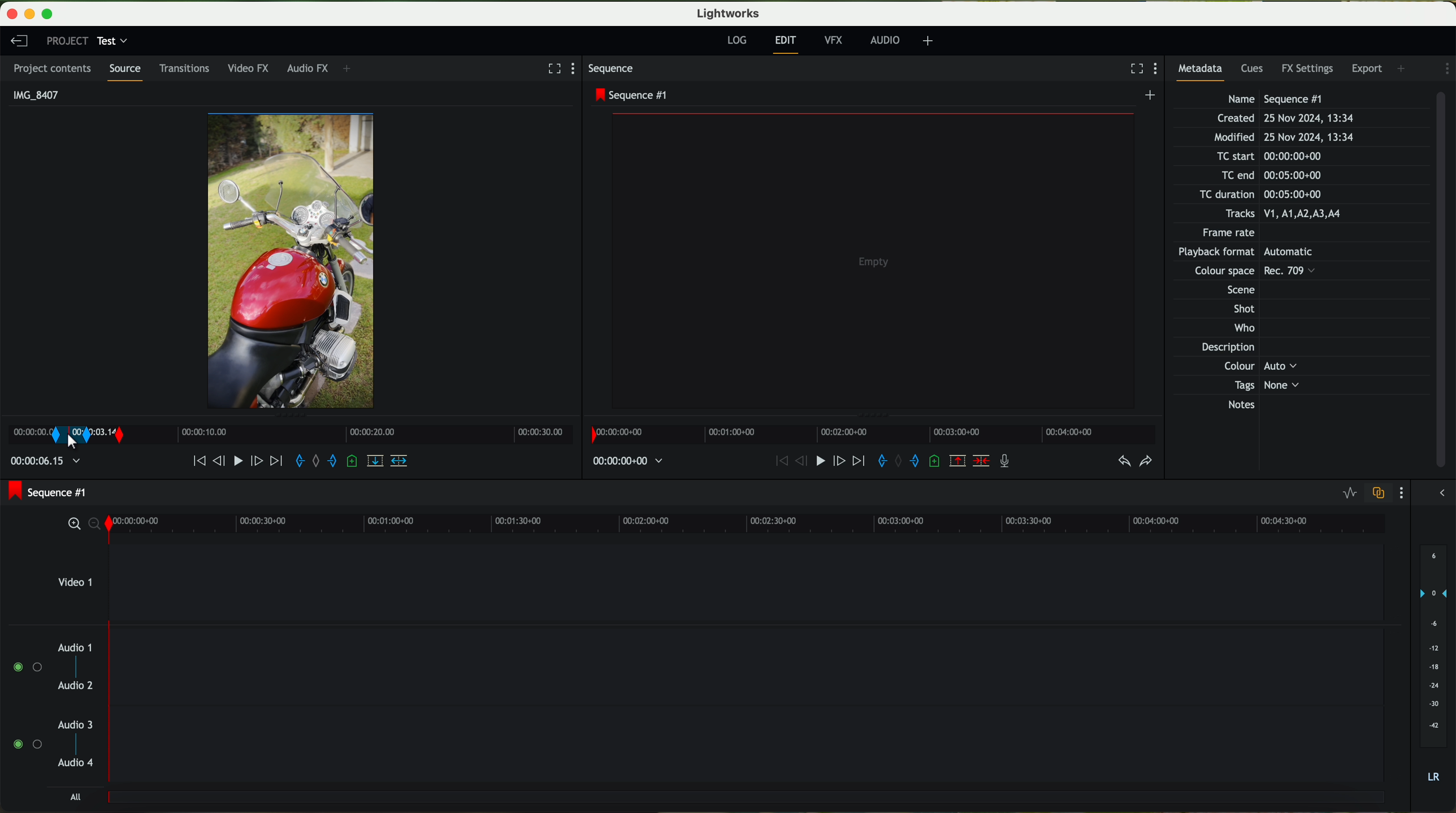 Image resolution: width=1456 pixels, height=813 pixels. Describe the element at coordinates (1442, 491) in the screenshot. I see `show/hide the full audio mix menu` at that location.